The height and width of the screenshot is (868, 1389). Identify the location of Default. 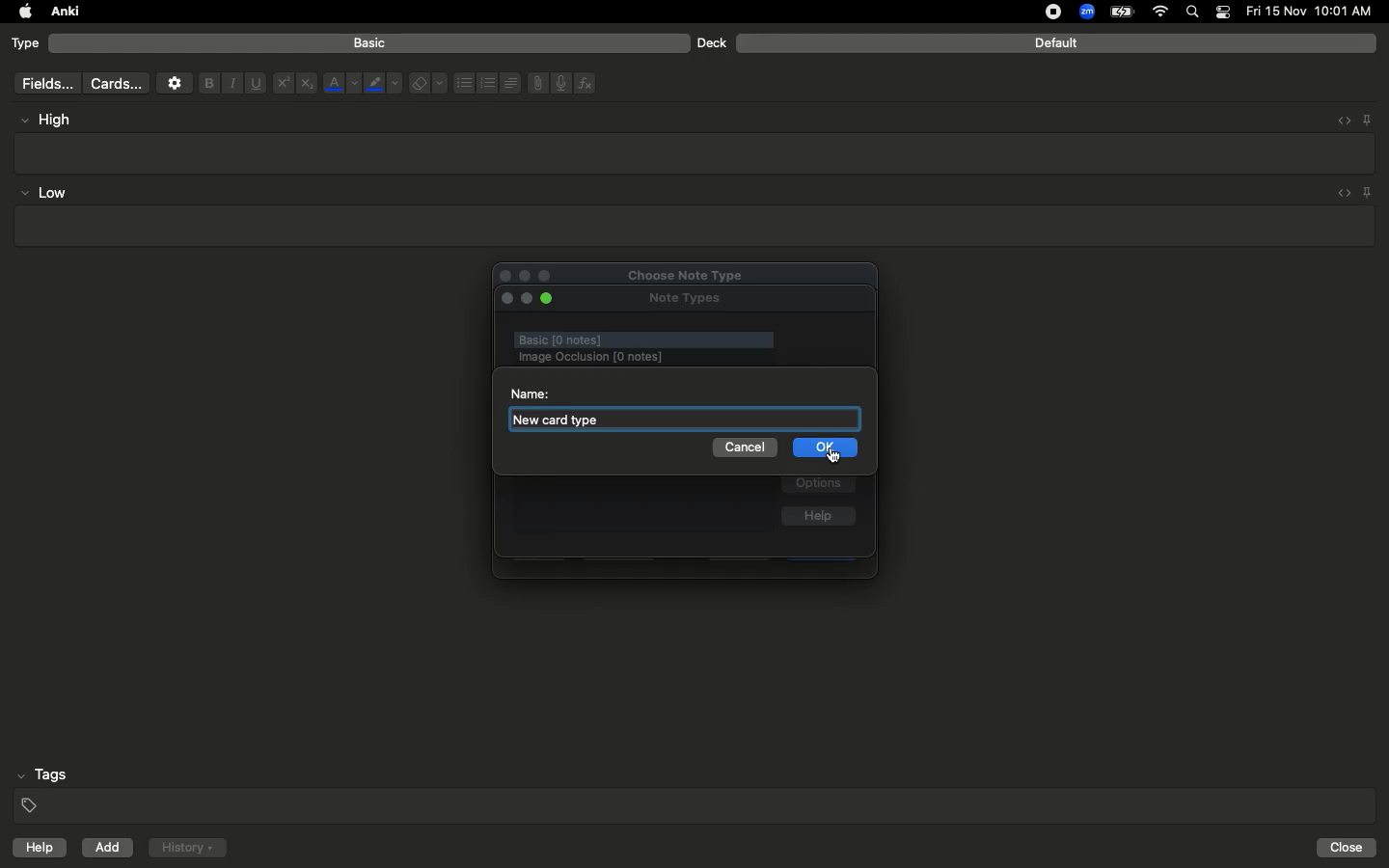
(1056, 43).